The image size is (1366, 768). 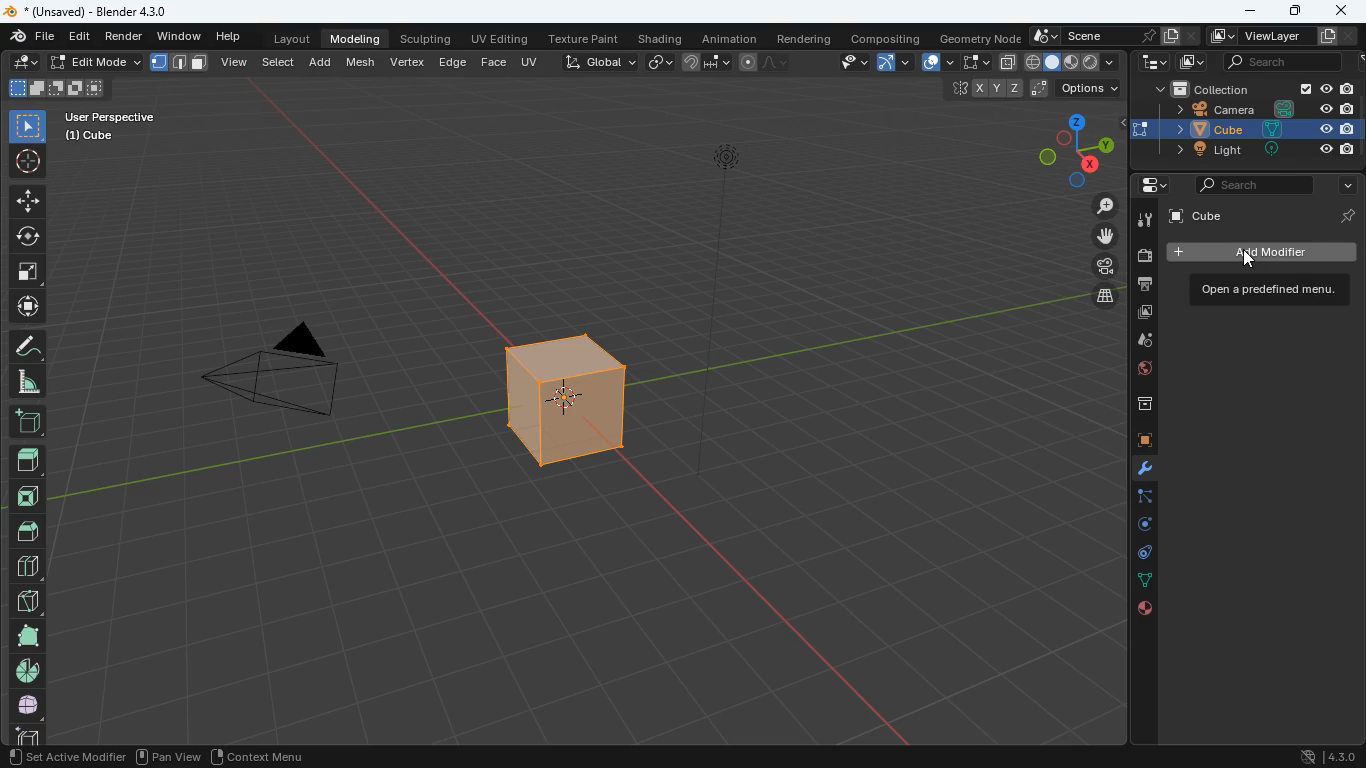 I want to click on join, so click(x=703, y=61).